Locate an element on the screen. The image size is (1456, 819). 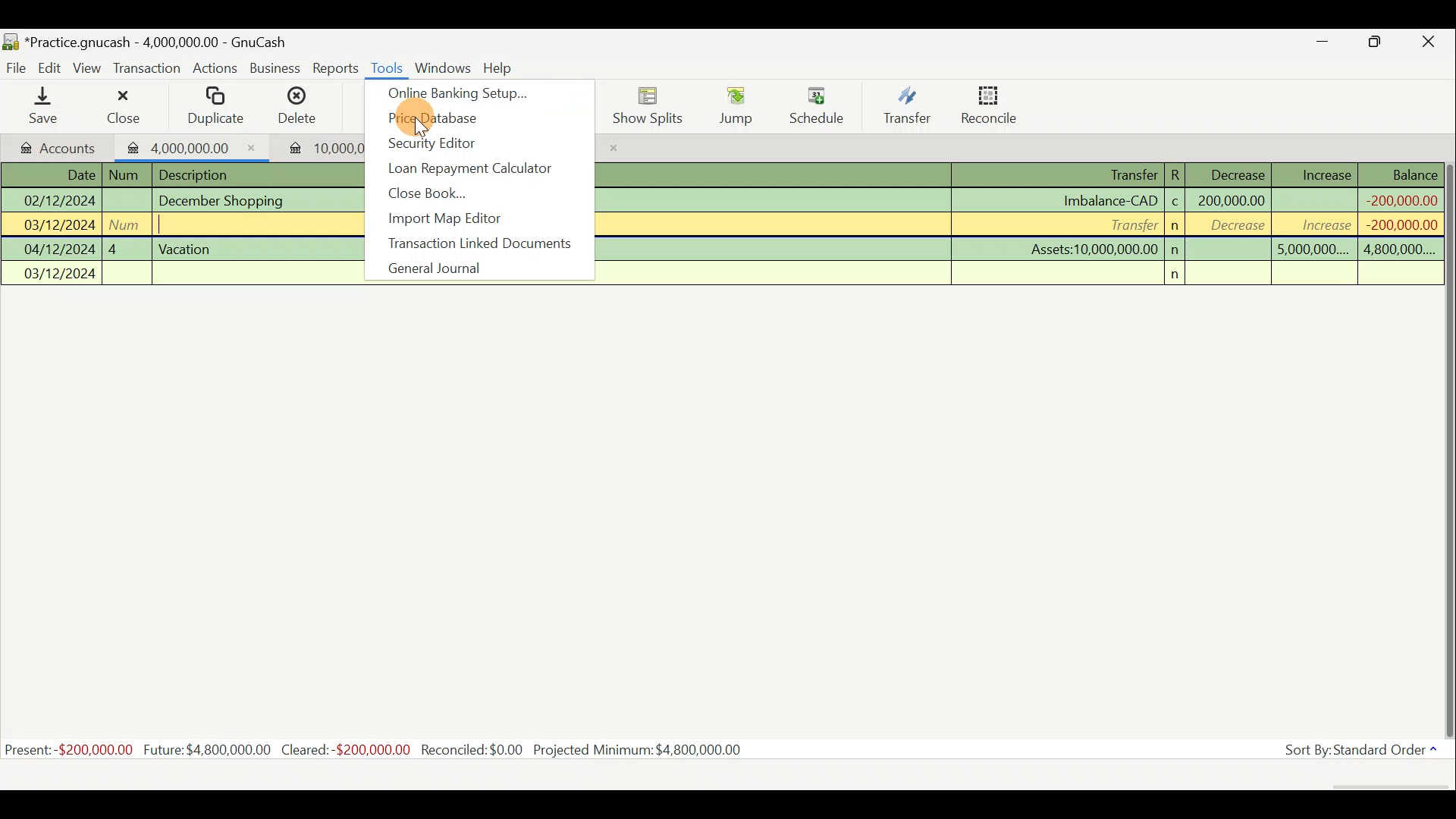
c is located at coordinates (1175, 203).